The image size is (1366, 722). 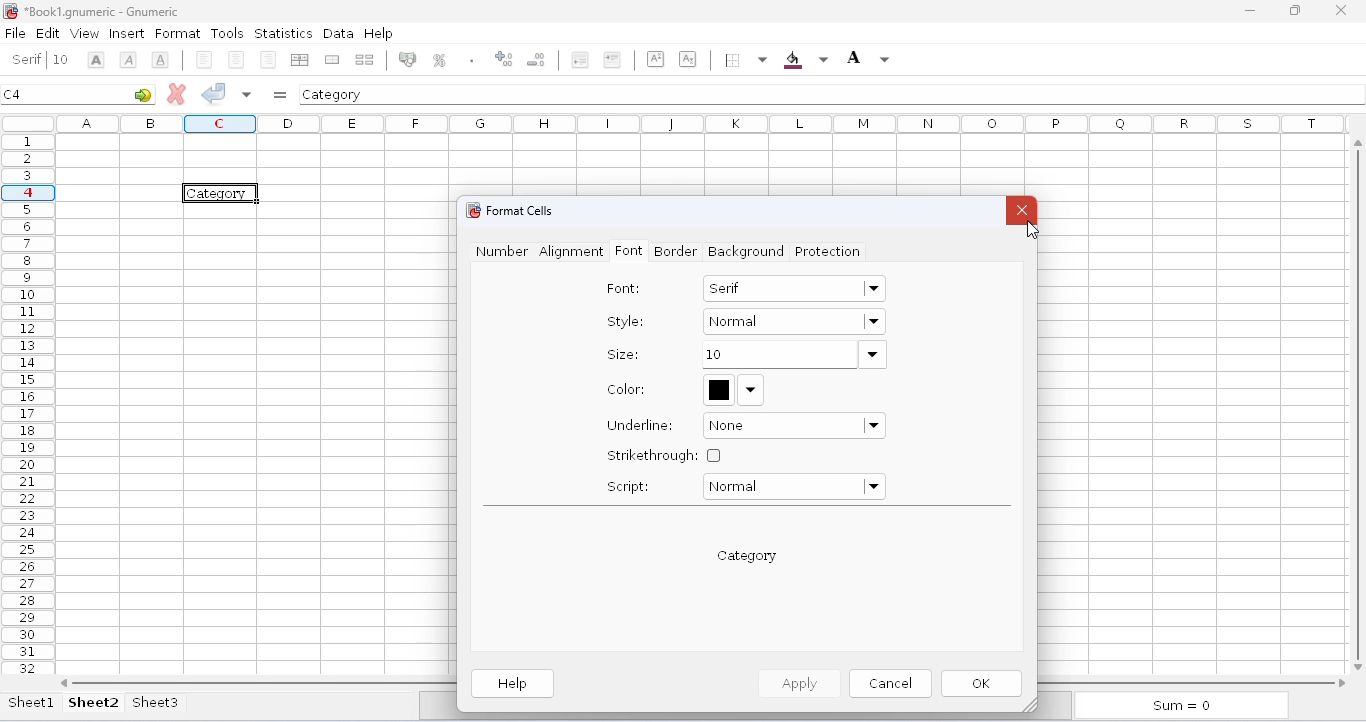 What do you see at coordinates (65, 58) in the screenshot?
I see `font size` at bounding box center [65, 58].